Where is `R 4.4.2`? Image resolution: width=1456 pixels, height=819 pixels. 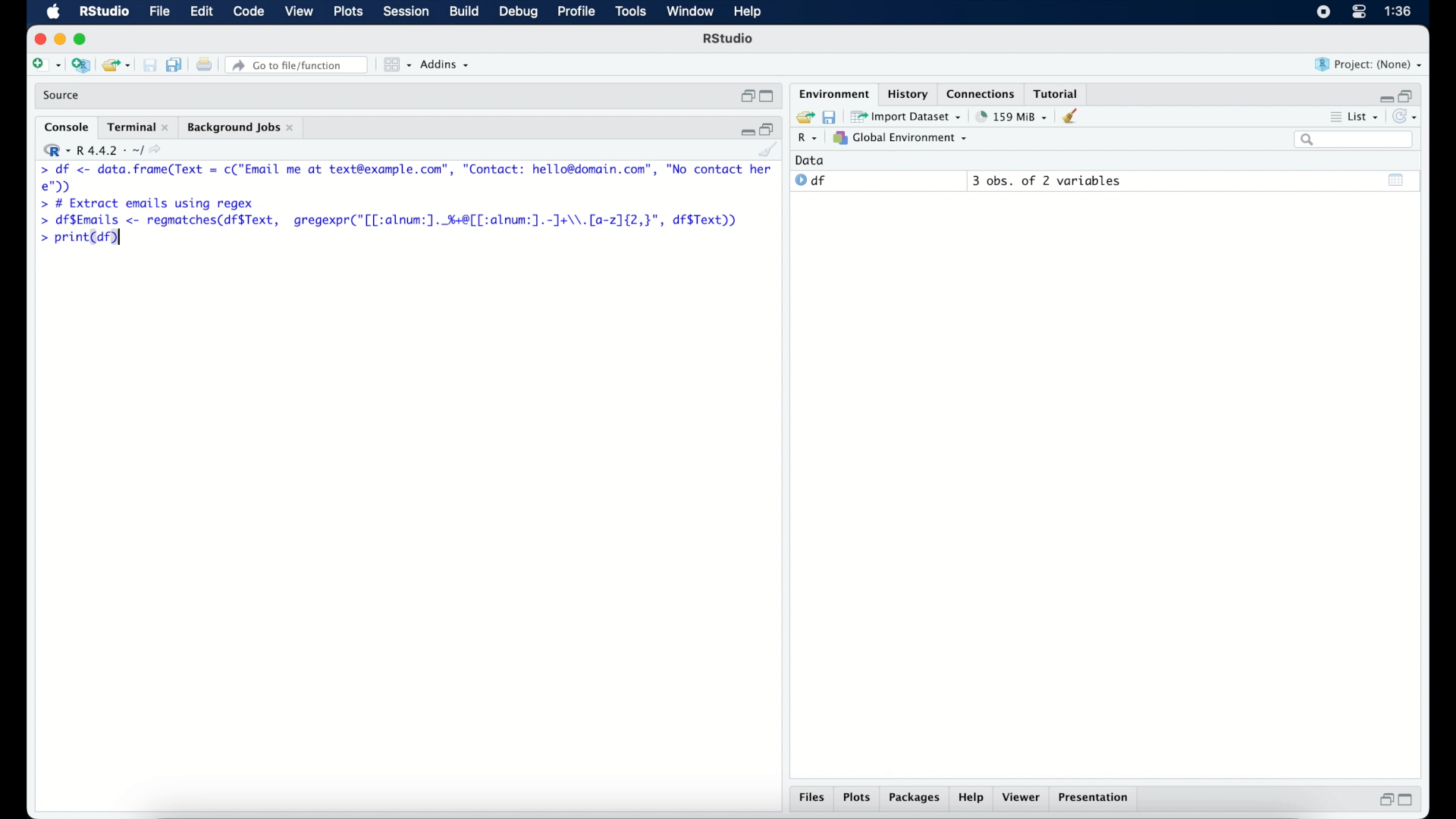 R 4.4.2 is located at coordinates (105, 150).